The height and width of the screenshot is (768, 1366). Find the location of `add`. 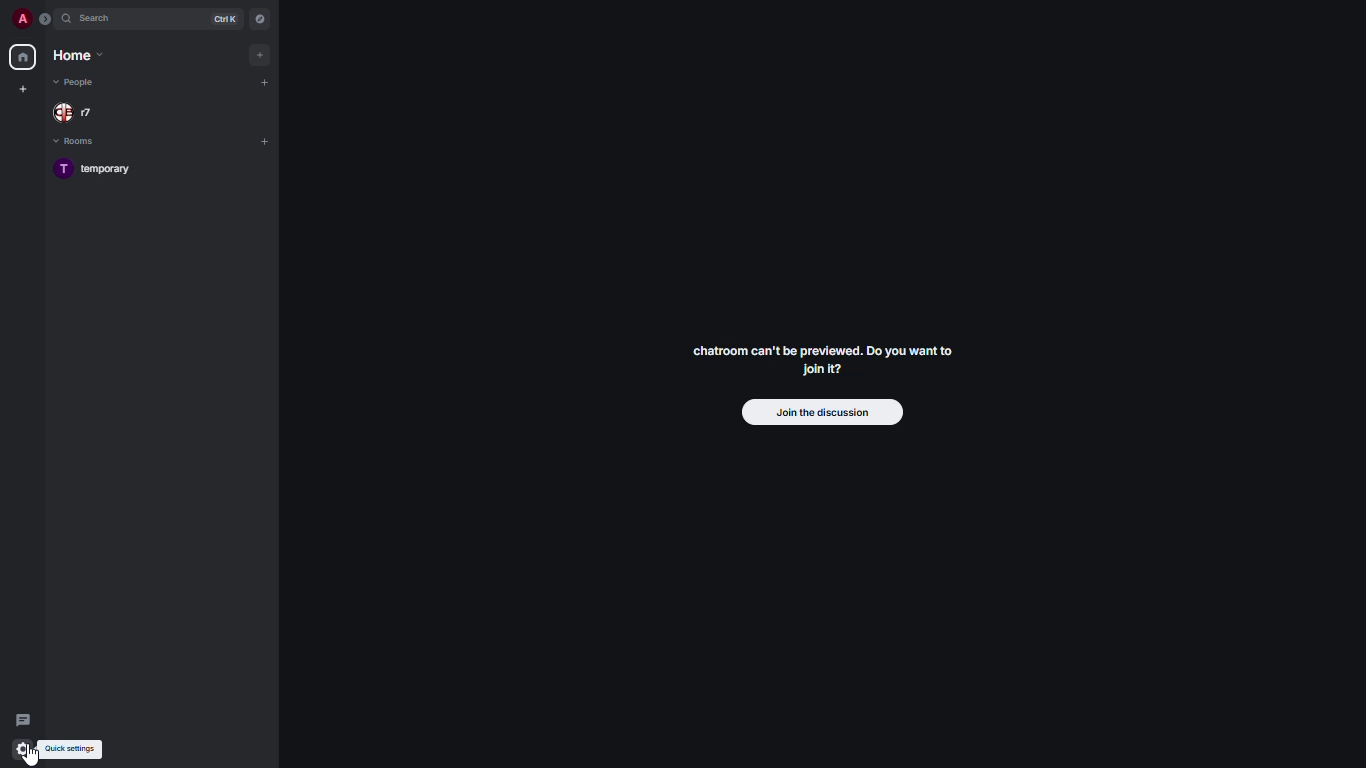

add is located at coordinates (262, 55).